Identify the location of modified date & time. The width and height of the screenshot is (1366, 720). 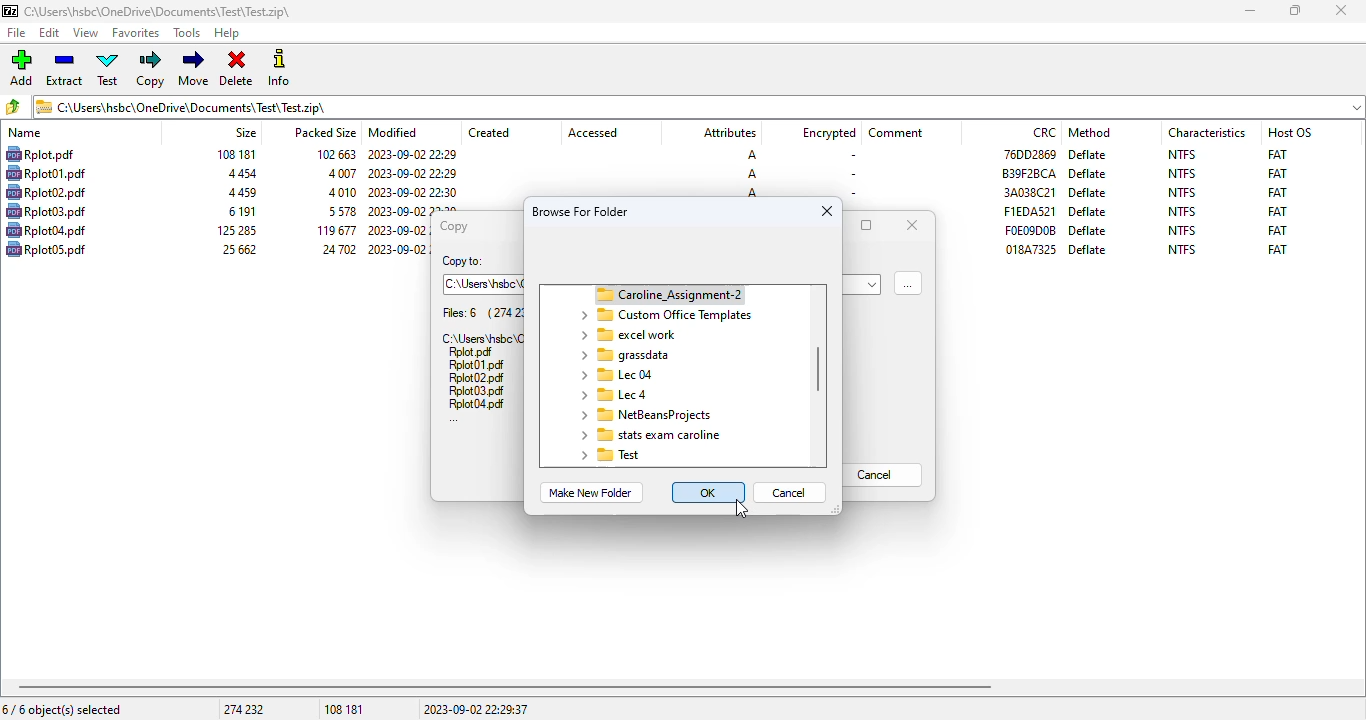
(412, 155).